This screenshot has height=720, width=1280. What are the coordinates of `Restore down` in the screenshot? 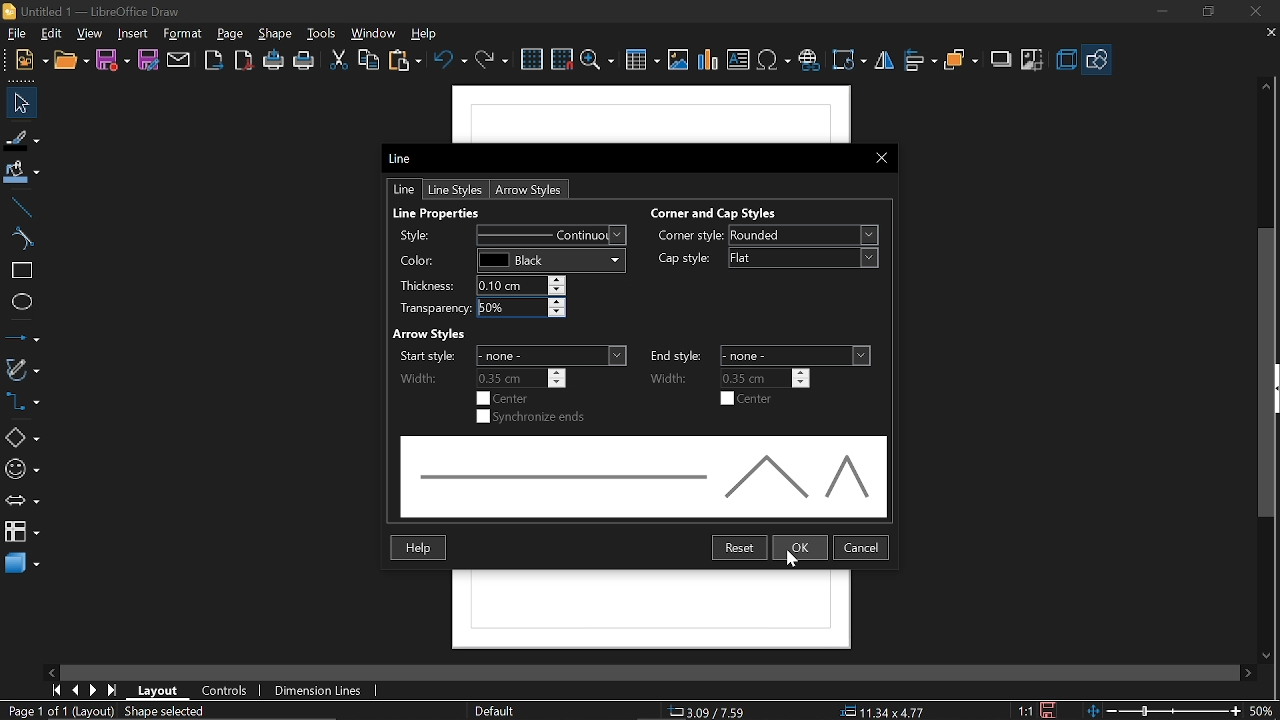 It's located at (1205, 13).